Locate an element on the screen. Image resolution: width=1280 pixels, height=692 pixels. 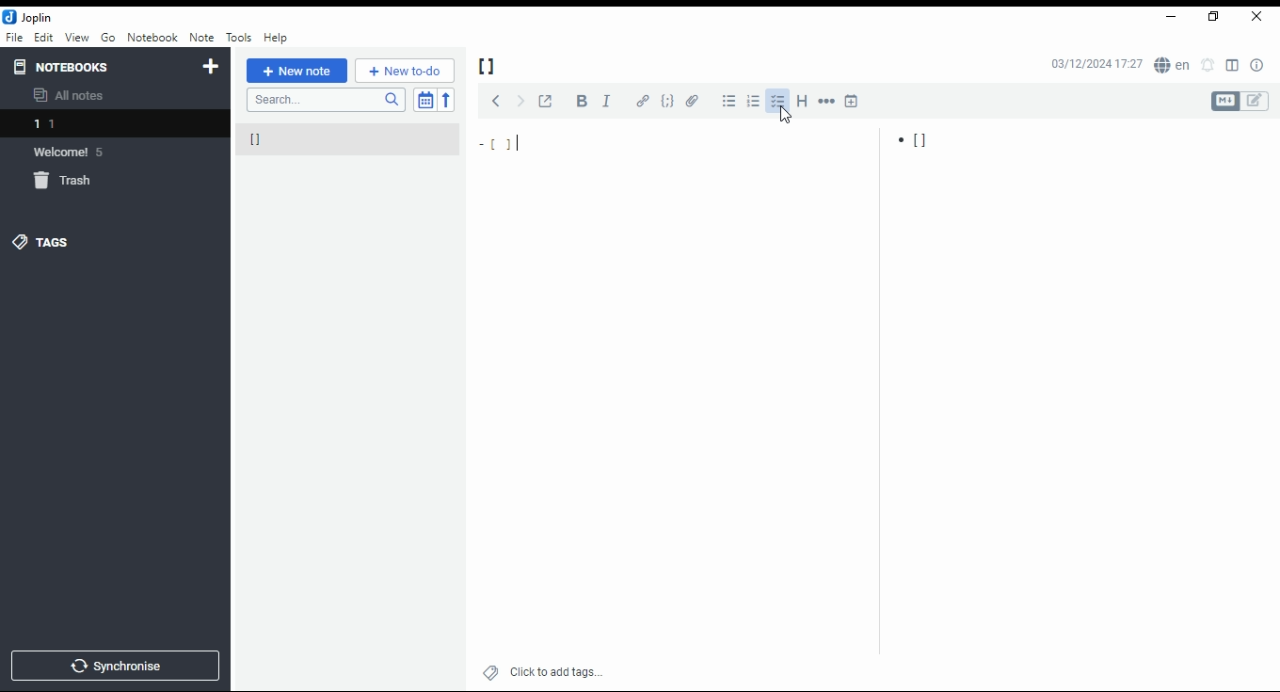
file is located at coordinates (14, 38).